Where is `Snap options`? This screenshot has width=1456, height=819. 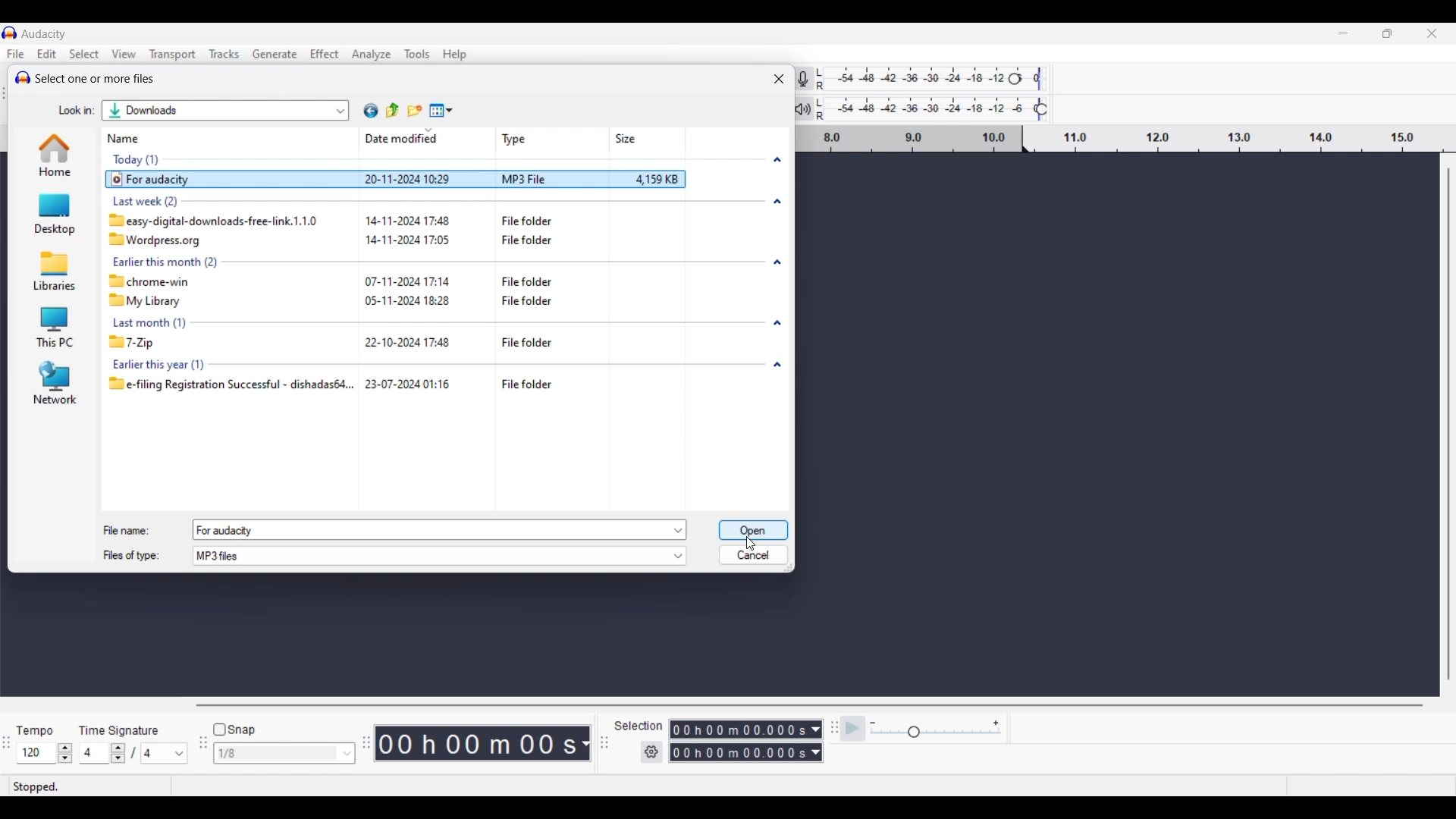
Snap options is located at coordinates (347, 753).